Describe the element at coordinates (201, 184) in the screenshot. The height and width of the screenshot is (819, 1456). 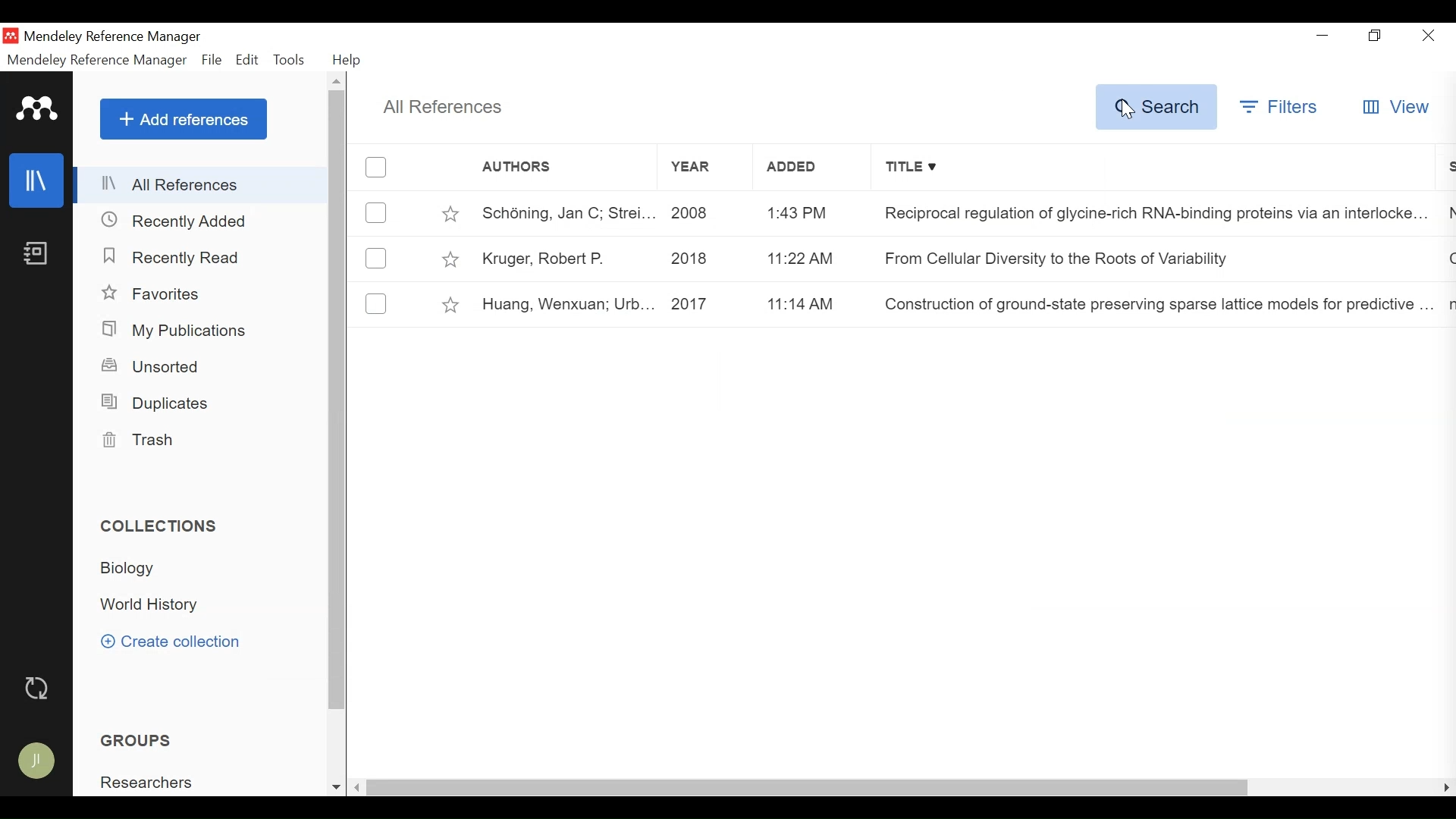
I see `All References` at that location.